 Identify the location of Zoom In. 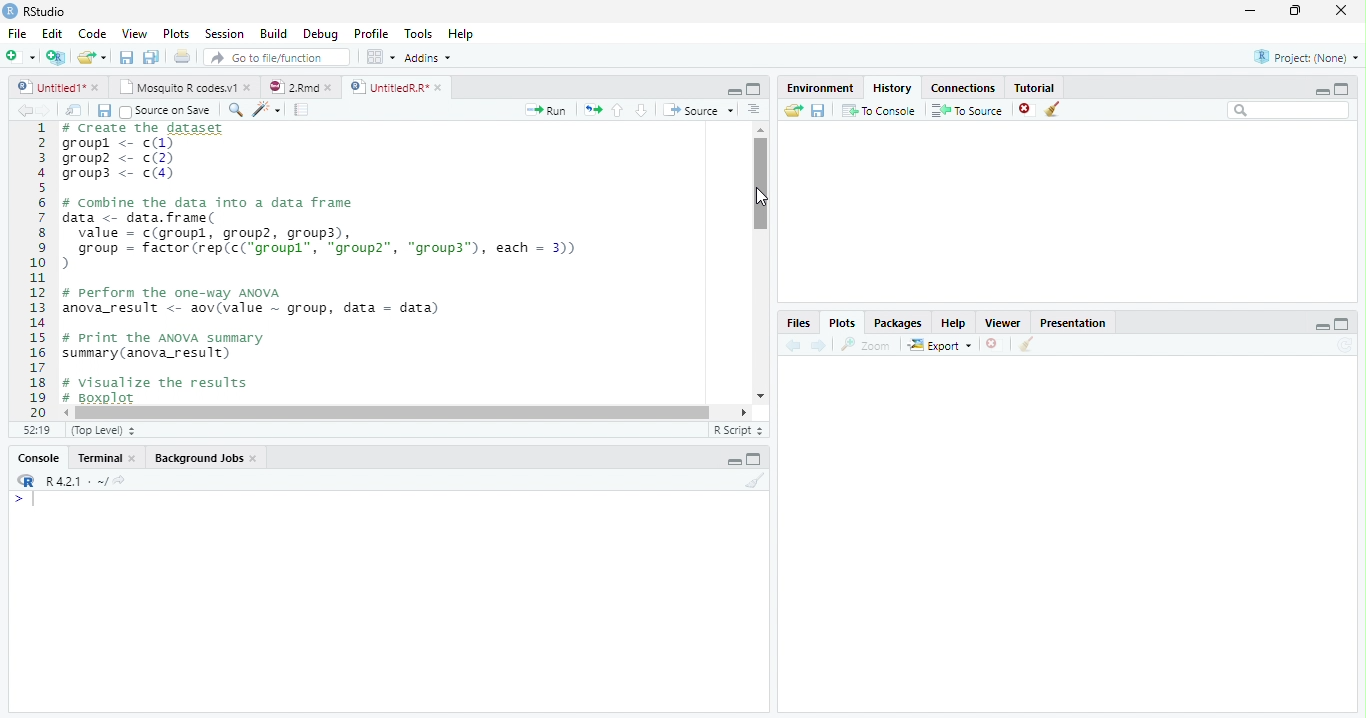
(234, 111).